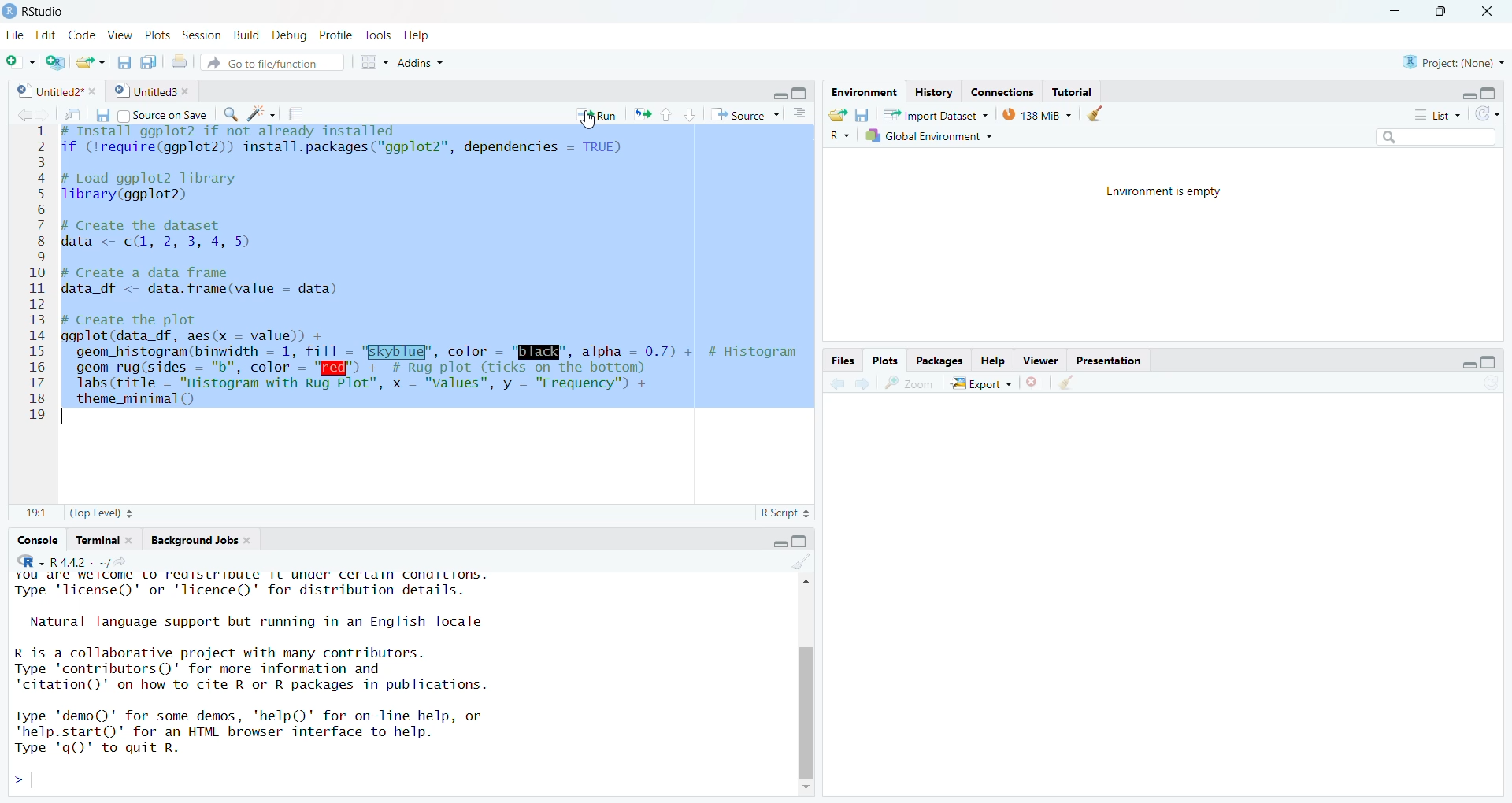 Image resolution: width=1512 pixels, height=803 pixels. Describe the element at coordinates (1432, 113) in the screenshot. I see `list` at that location.